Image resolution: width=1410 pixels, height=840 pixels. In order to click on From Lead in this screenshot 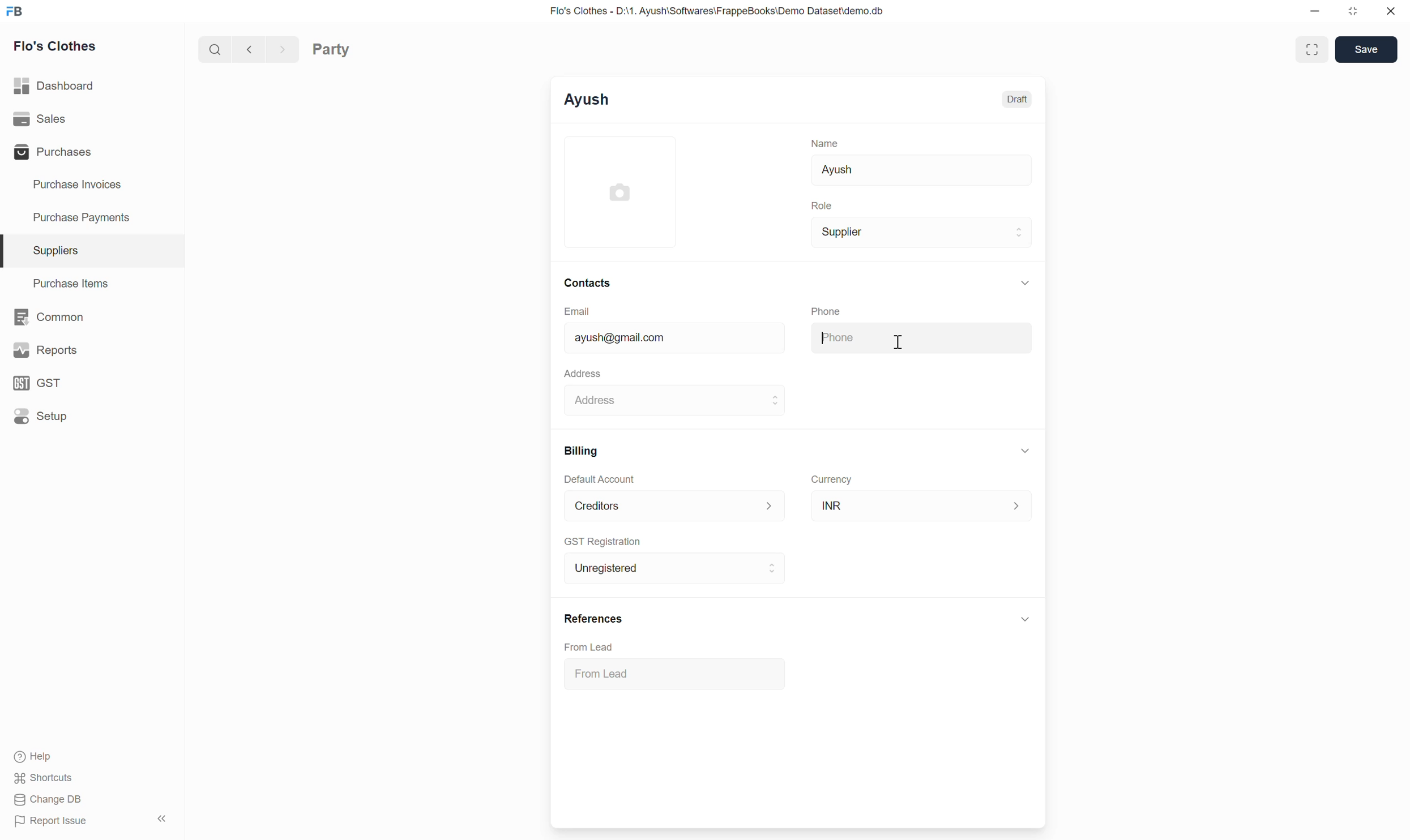, I will do `click(588, 647)`.